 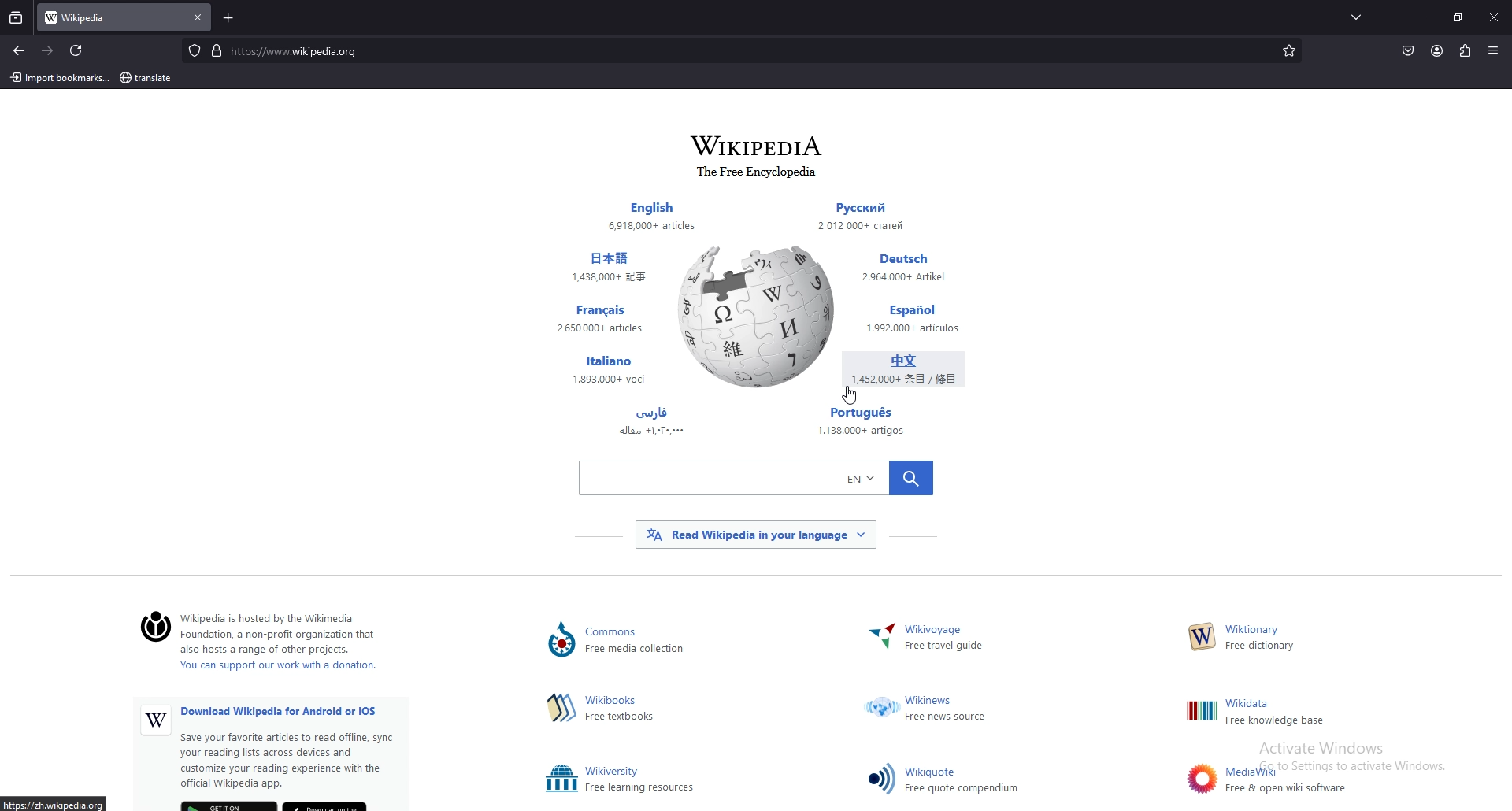 I want to click on , so click(x=756, y=317).